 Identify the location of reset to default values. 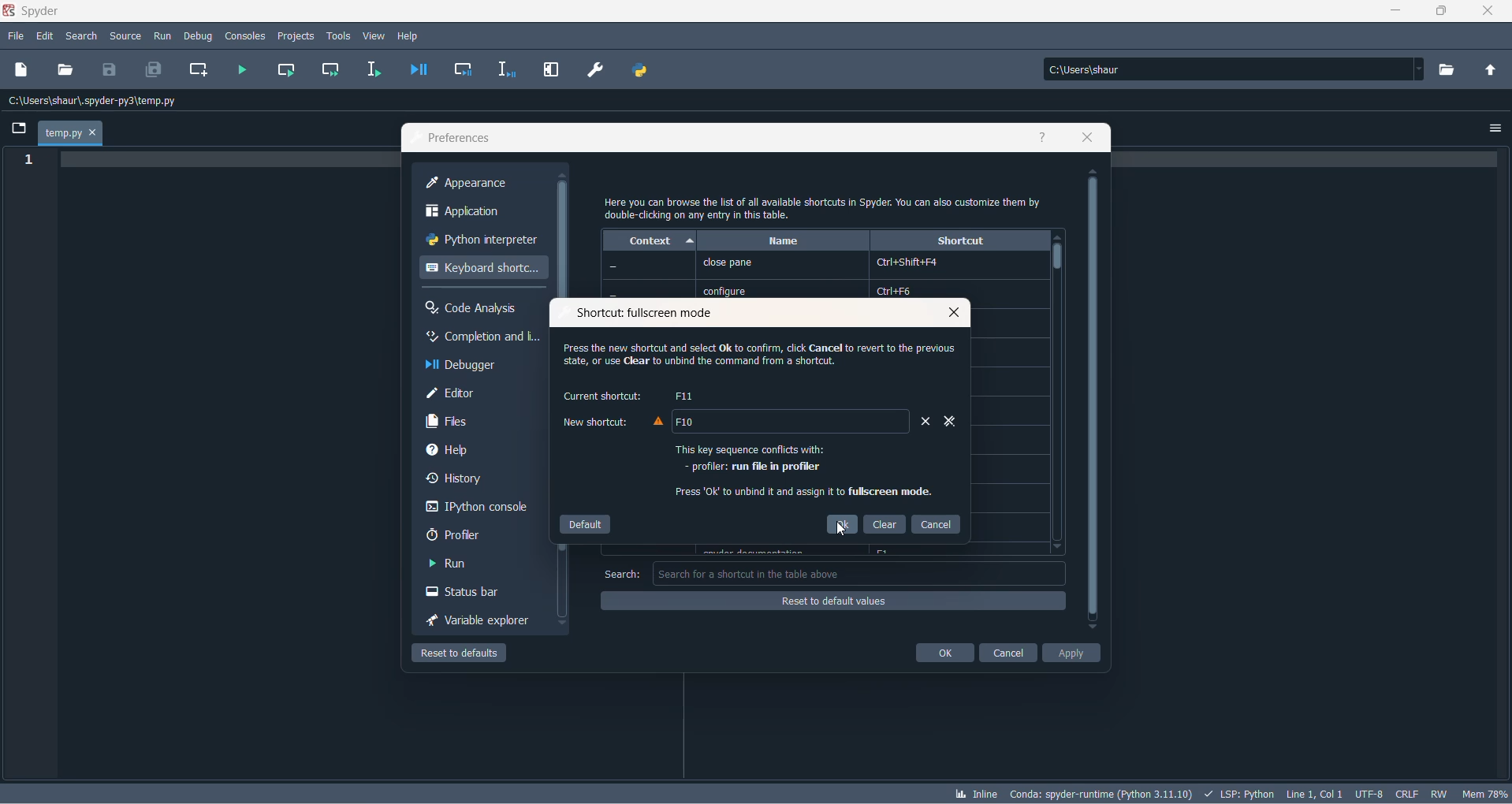
(834, 601).